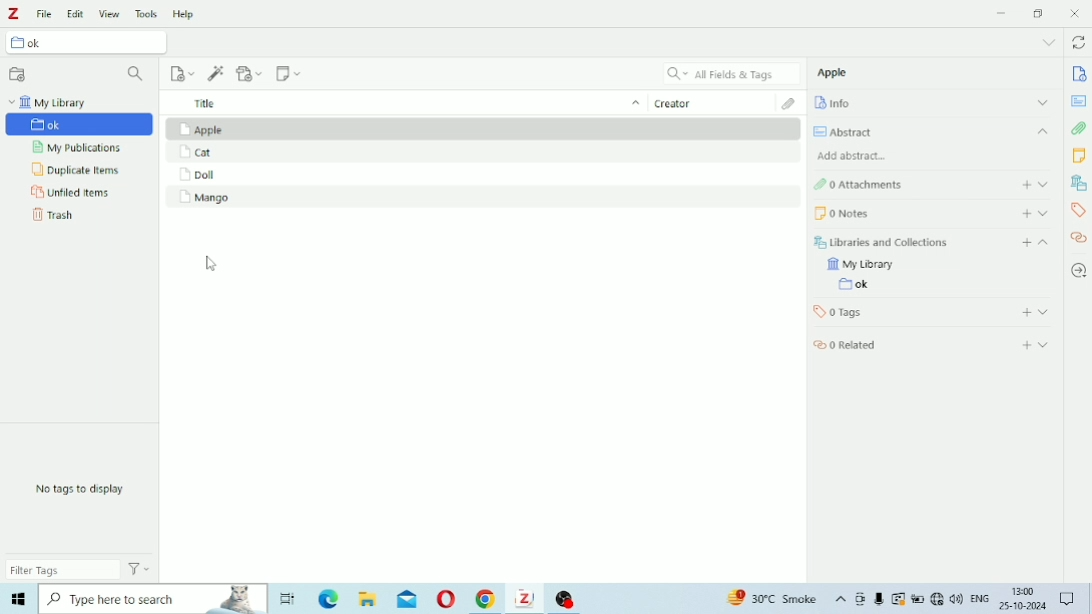 This screenshot has width=1092, height=614. Describe the element at coordinates (212, 262) in the screenshot. I see `cursor` at that location.